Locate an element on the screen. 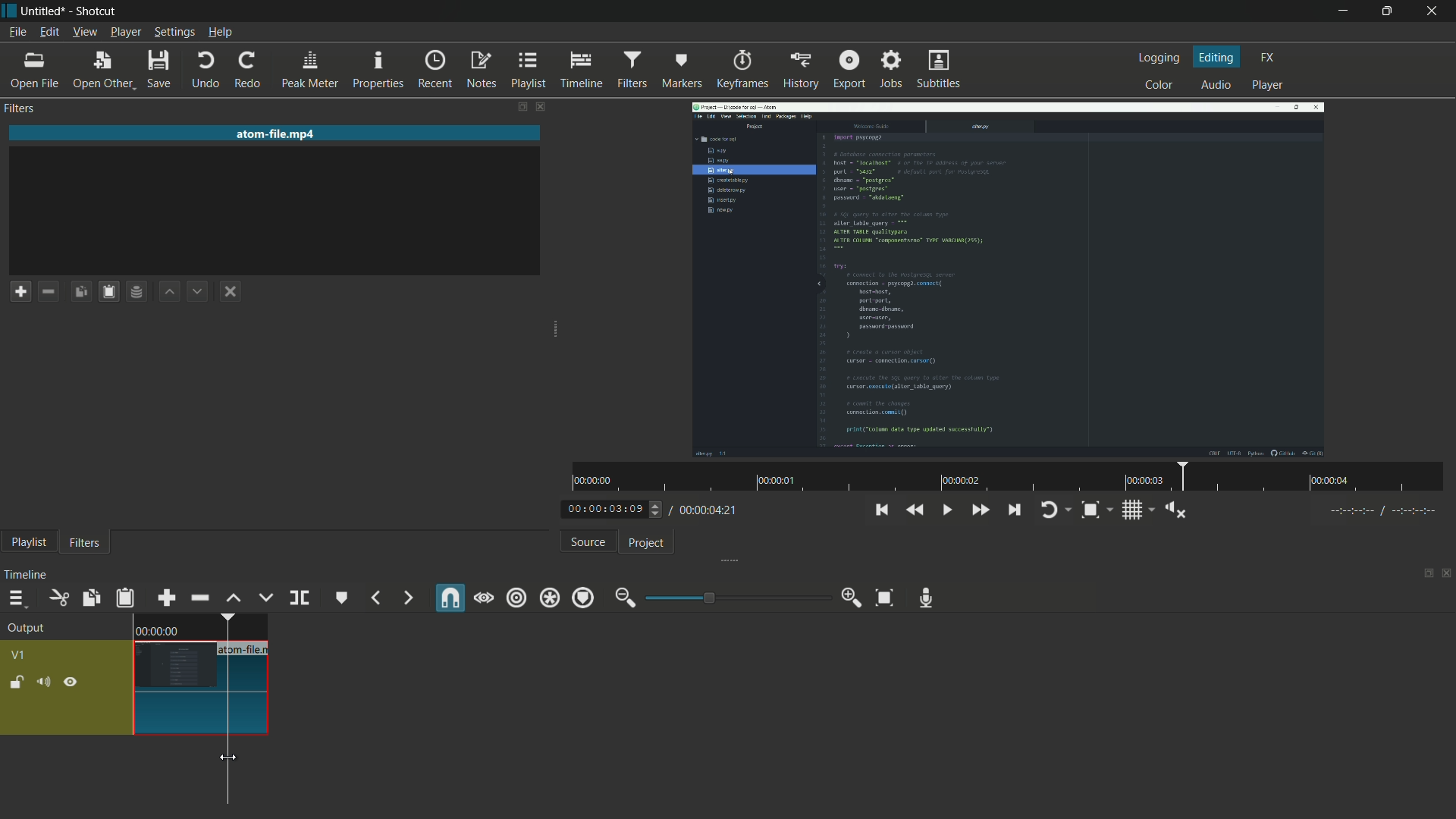  fx is located at coordinates (1268, 58).